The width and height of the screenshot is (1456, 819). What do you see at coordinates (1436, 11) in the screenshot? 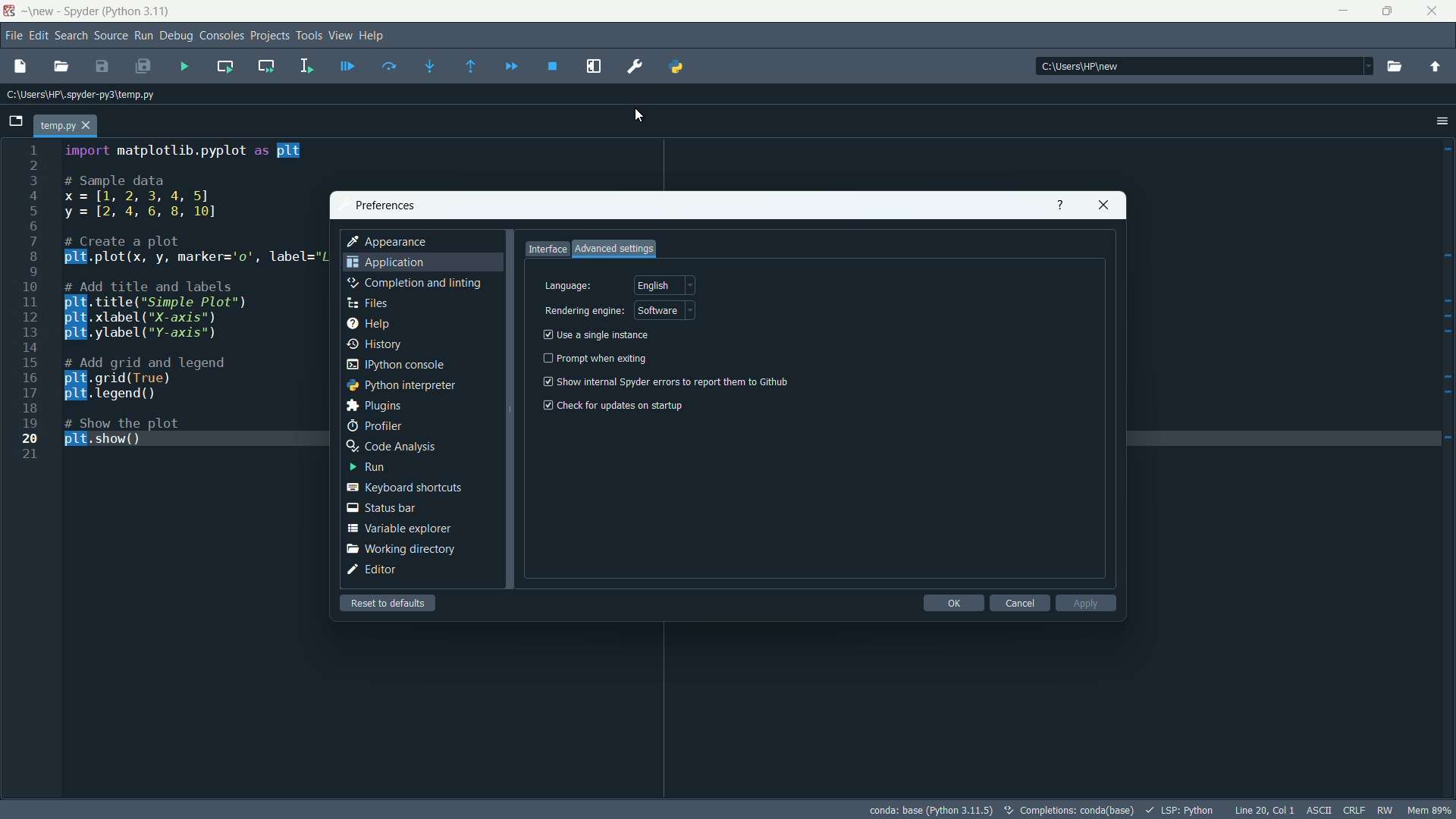
I see `close app` at bounding box center [1436, 11].